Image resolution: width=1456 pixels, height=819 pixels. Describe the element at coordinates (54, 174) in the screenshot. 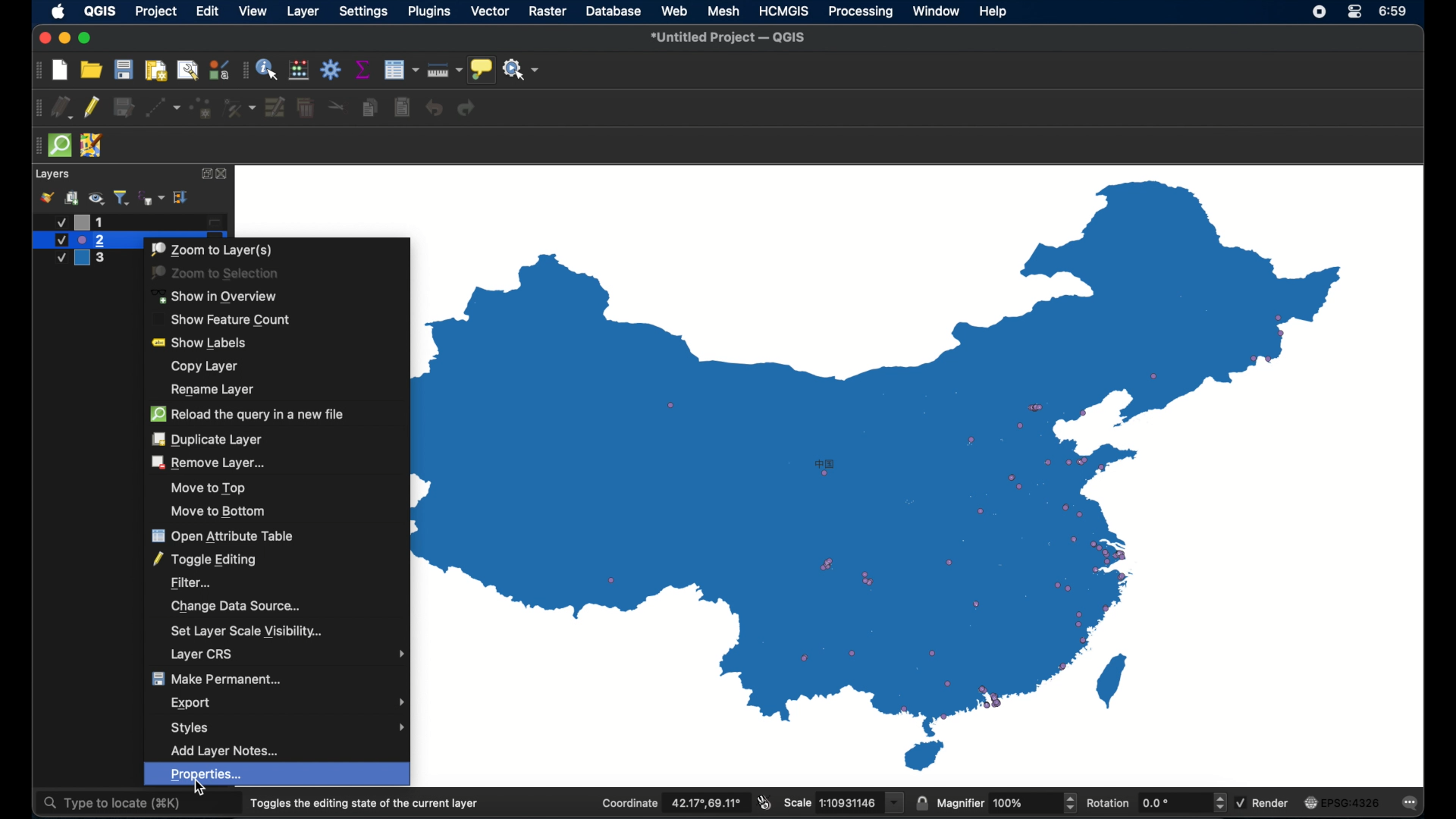

I see `layers` at that location.